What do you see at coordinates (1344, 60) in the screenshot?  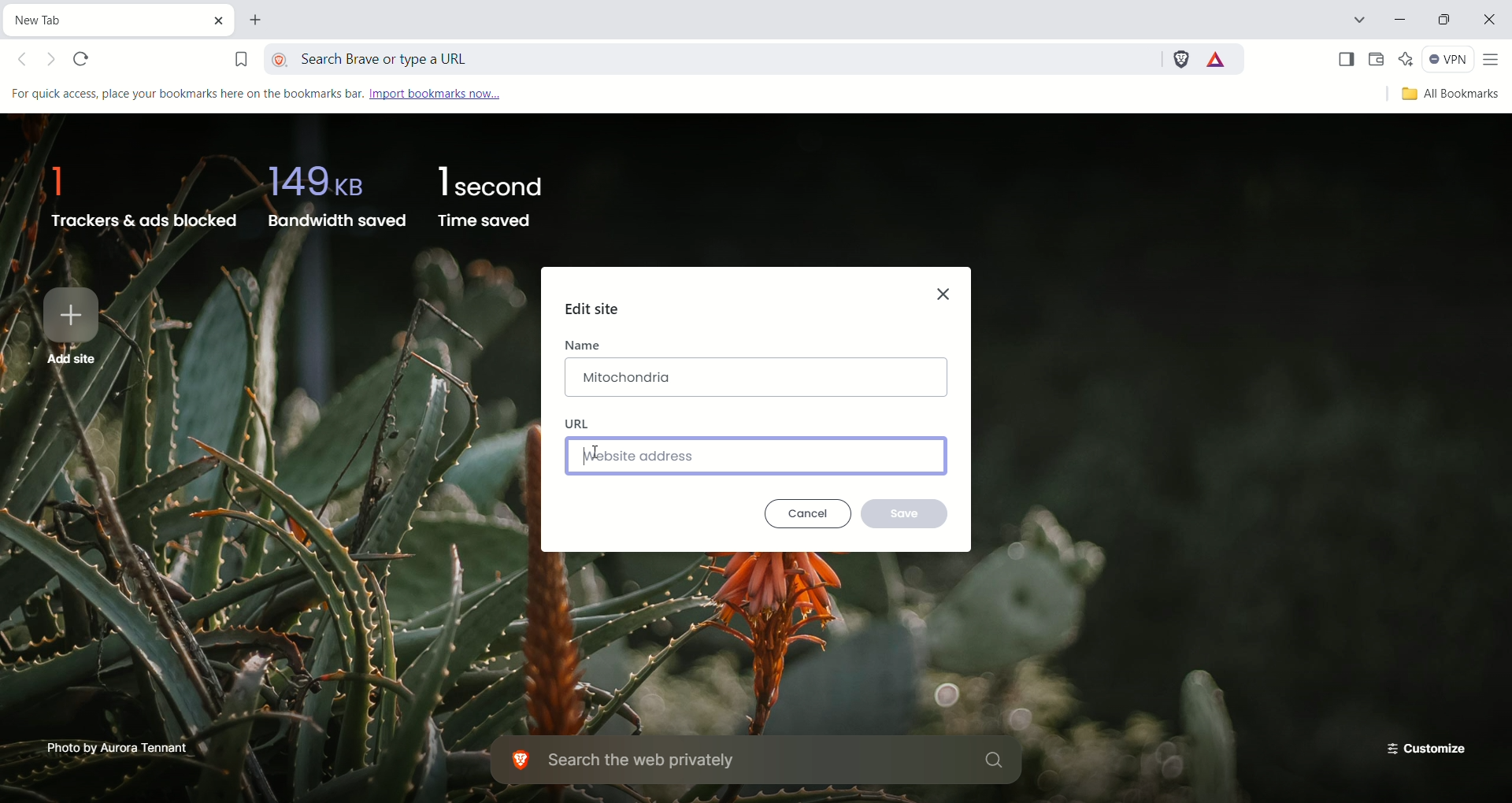 I see `show sidebar` at bounding box center [1344, 60].